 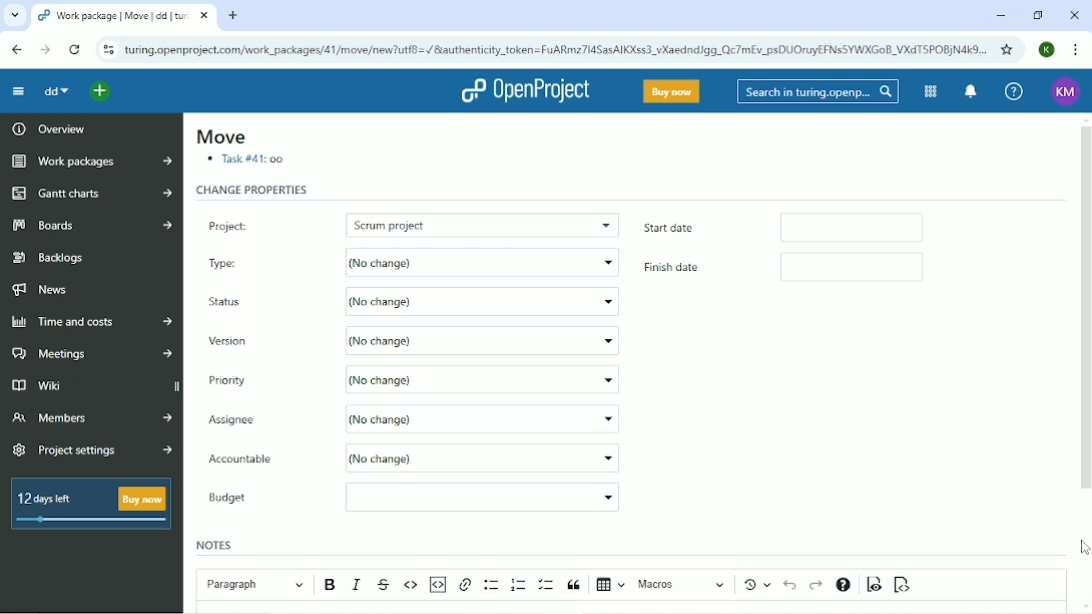 I want to click on Empty box, so click(x=482, y=496).